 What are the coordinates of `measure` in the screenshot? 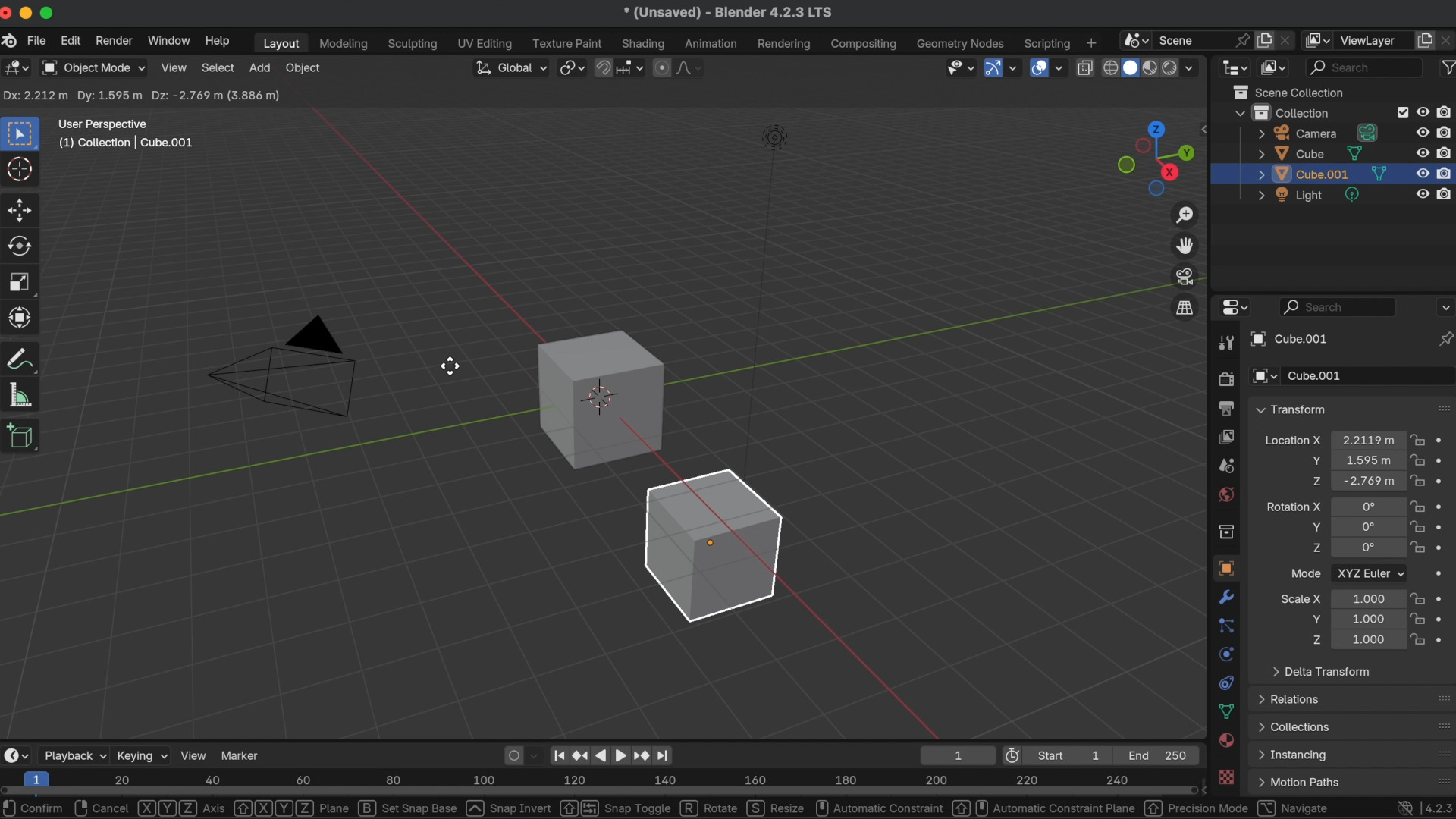 It's located at (21, 394).